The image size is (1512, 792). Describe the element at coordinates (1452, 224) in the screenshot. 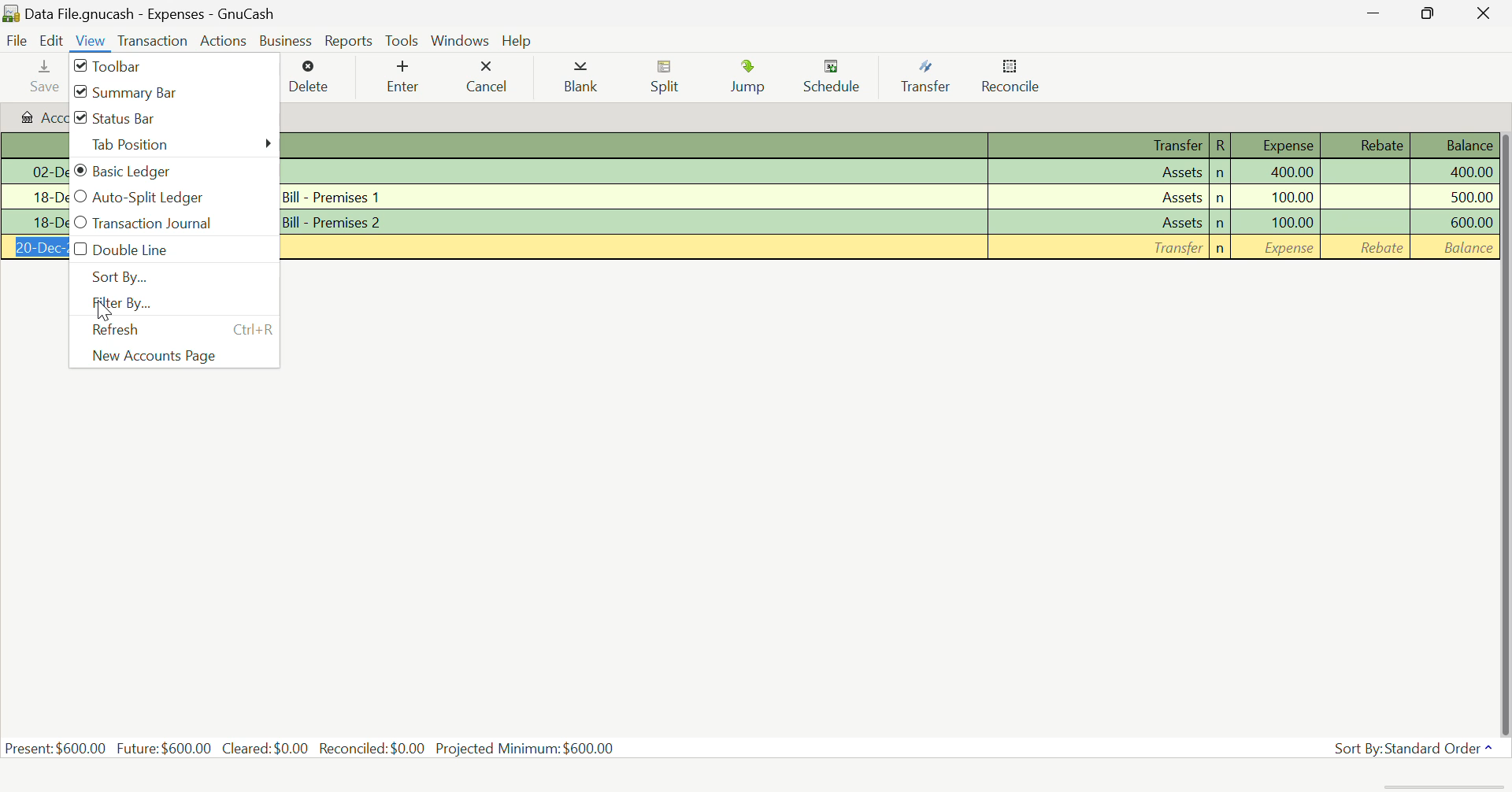

I see `Amount` at that location.